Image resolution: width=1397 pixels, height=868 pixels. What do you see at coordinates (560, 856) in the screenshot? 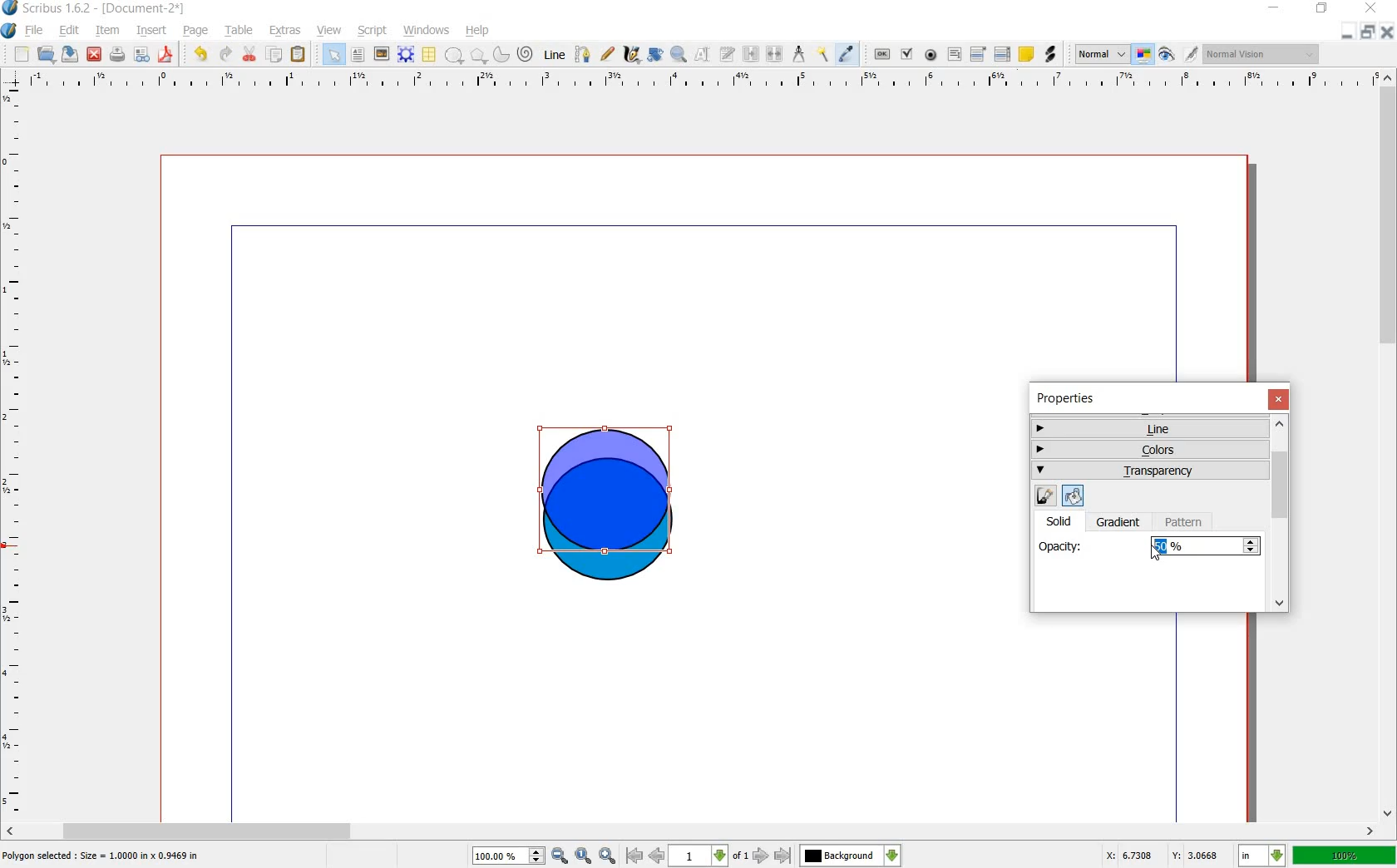
I see `zoom out` at bounding box center [560, 856].